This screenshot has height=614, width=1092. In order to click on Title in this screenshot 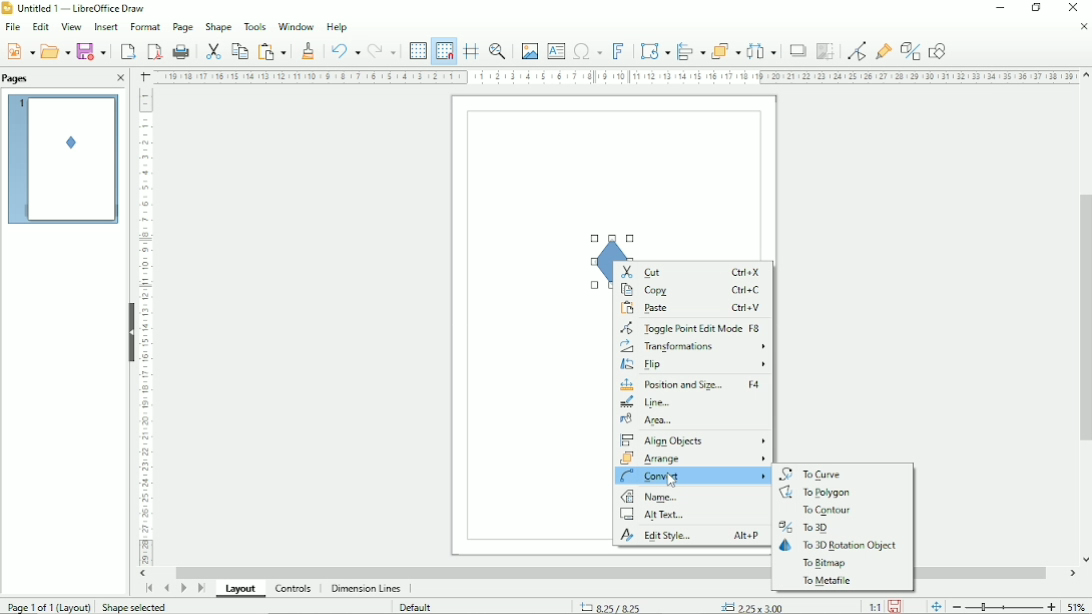, I will do `click(76, 9)`.